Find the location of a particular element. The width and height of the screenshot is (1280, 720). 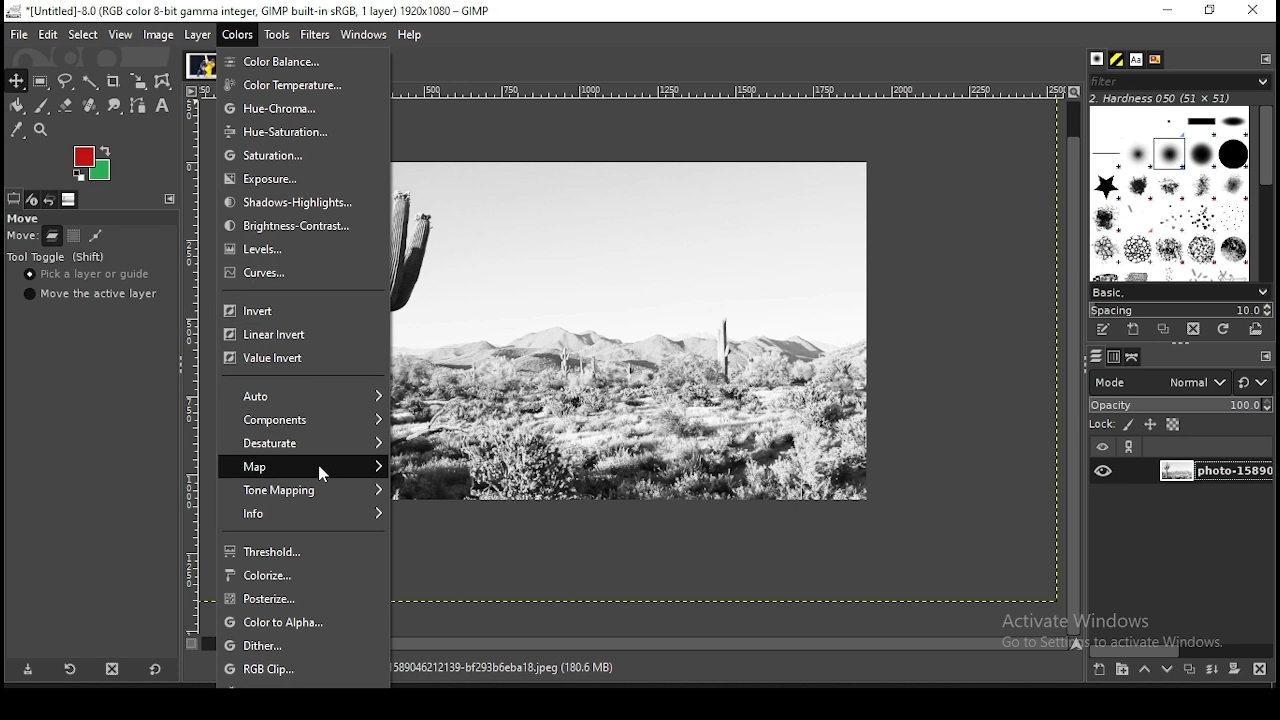

move is located at coordinates (22, 218).